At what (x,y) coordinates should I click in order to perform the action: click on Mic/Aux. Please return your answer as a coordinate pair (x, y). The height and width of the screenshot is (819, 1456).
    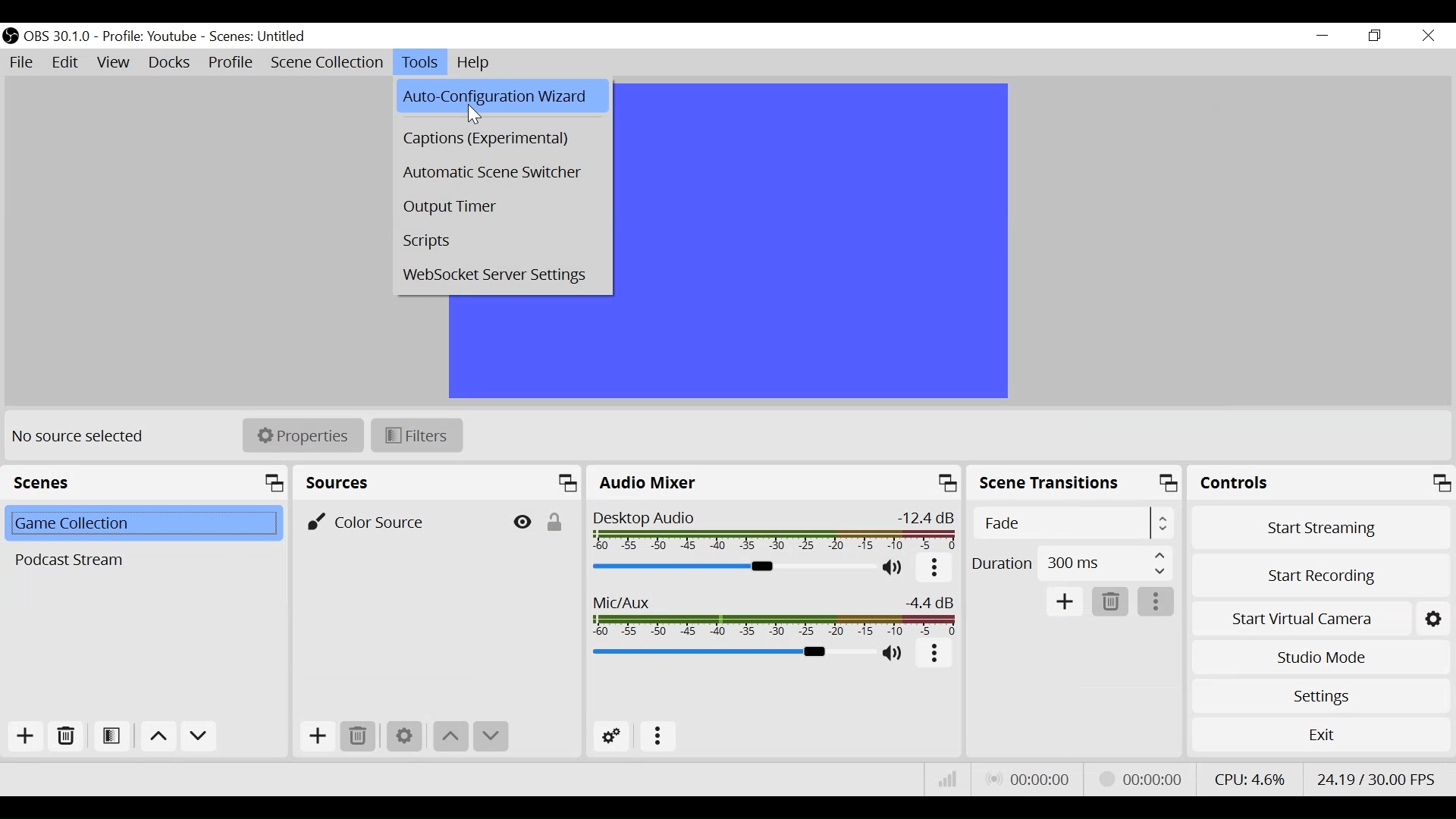
    Looking at the image, I should click on (775, 613).